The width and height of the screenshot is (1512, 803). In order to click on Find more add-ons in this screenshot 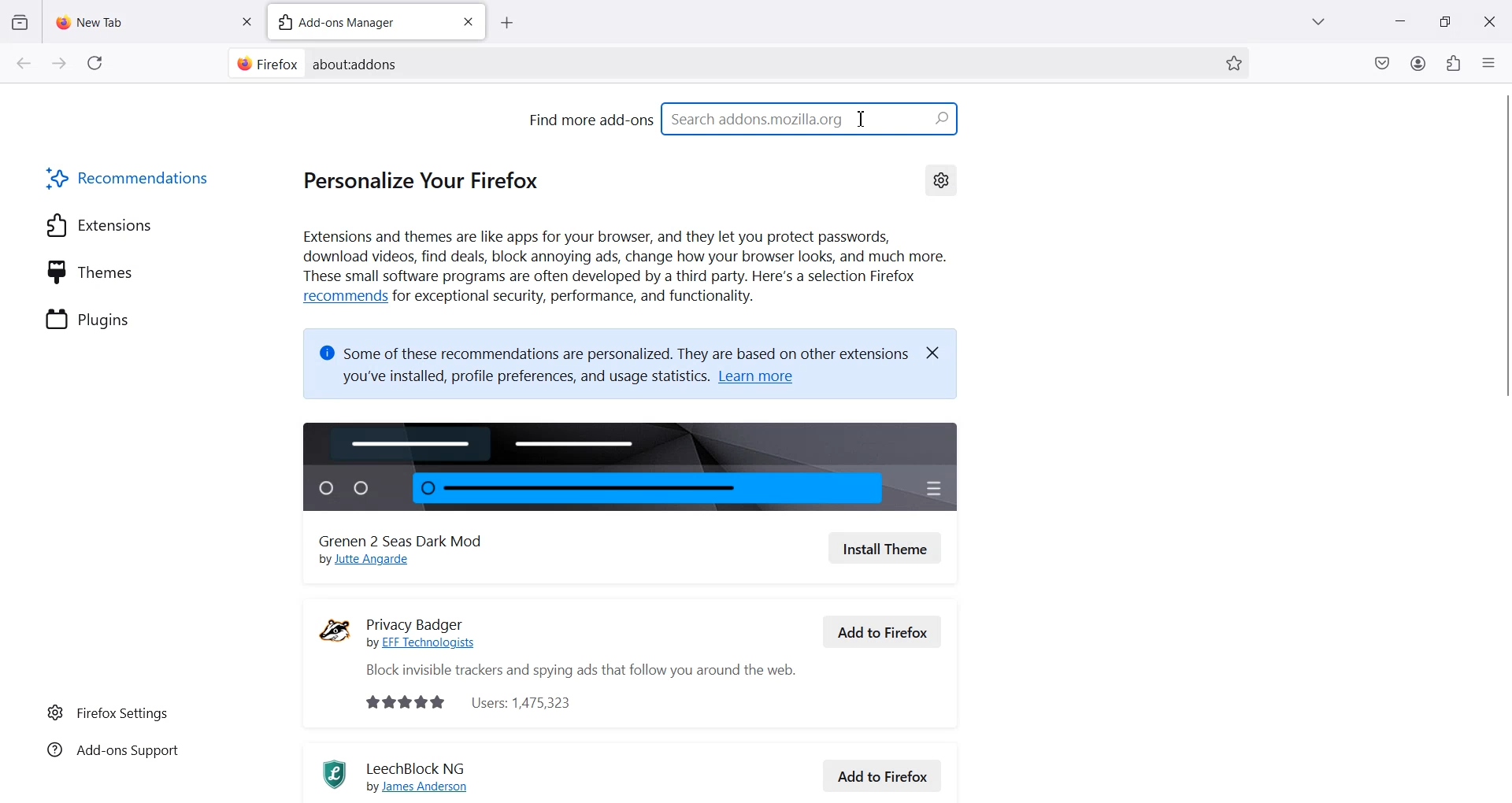, I will do `click(589, 119)`.